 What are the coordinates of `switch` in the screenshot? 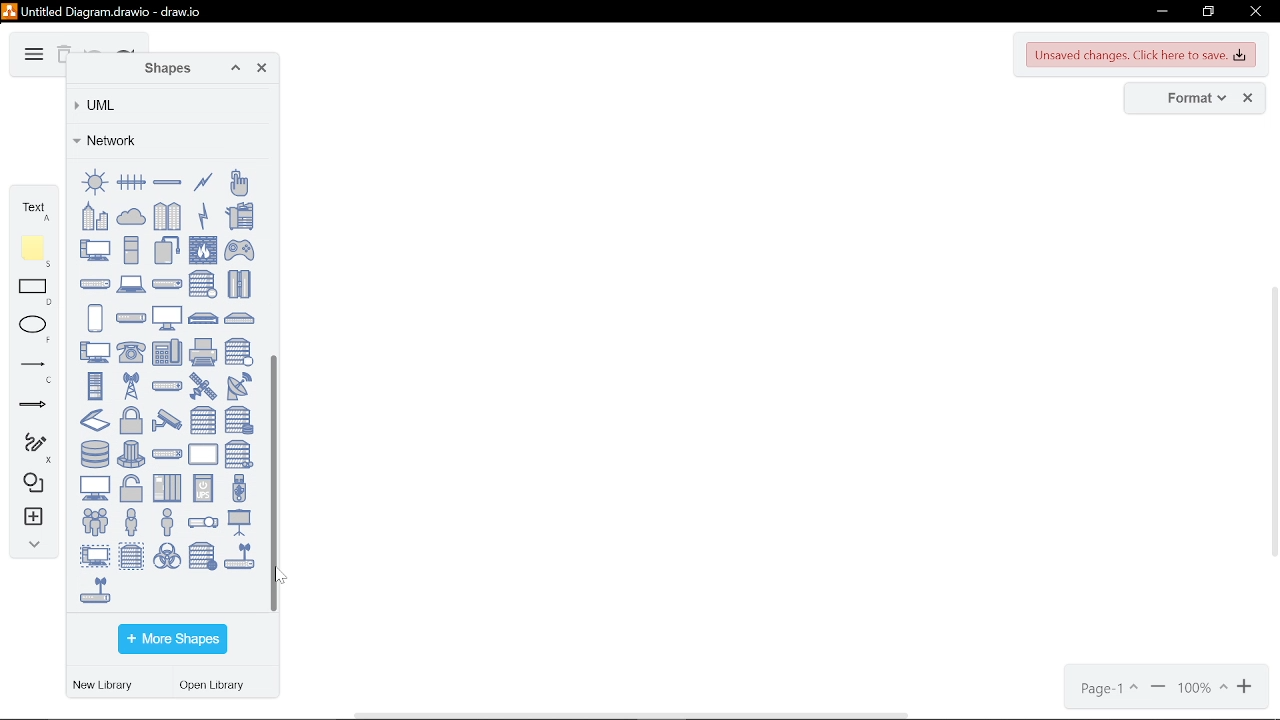 It's located at (167, 454).